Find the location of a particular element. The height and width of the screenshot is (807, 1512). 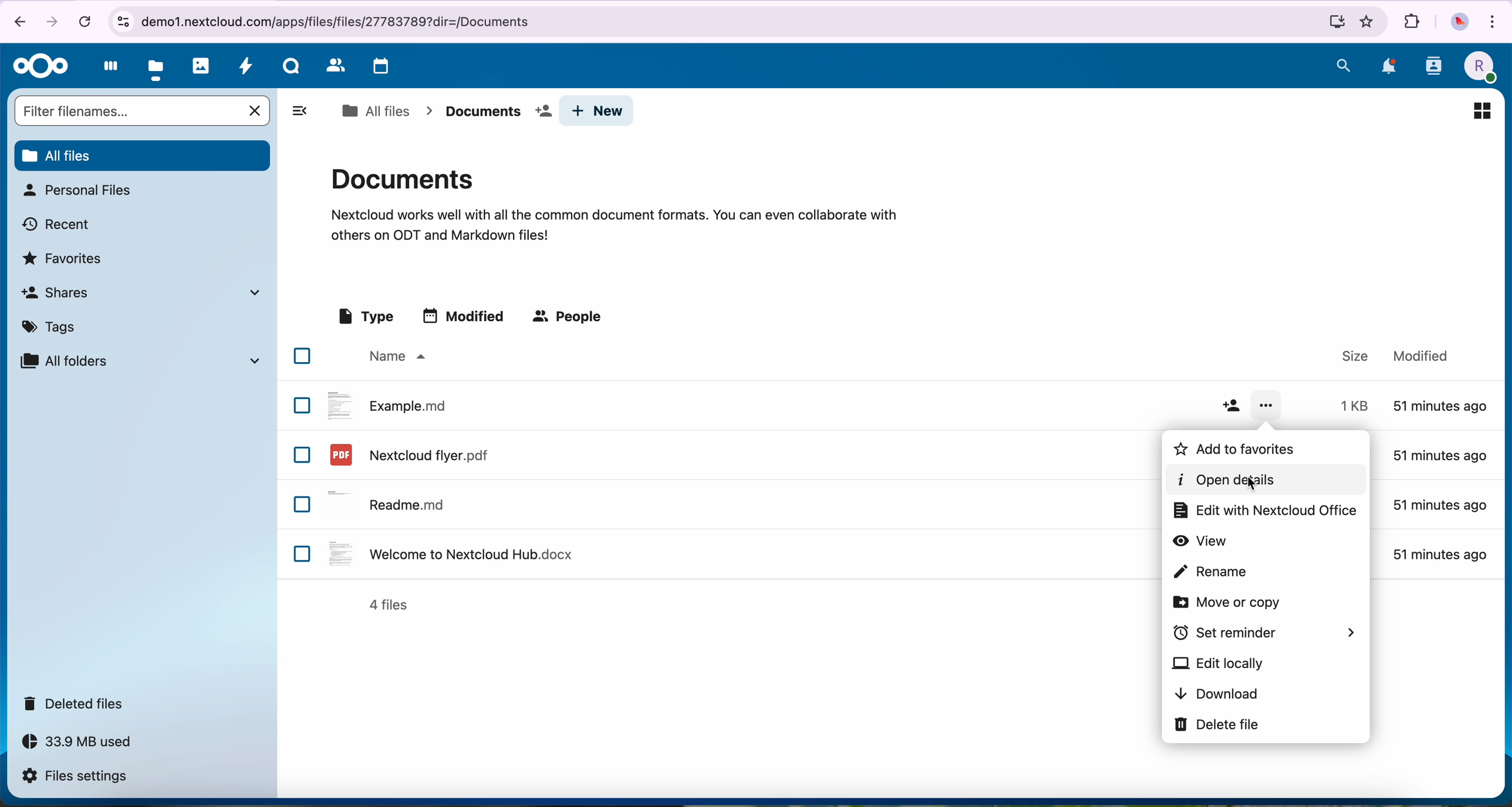

talk is located at coordinates (290, 69).